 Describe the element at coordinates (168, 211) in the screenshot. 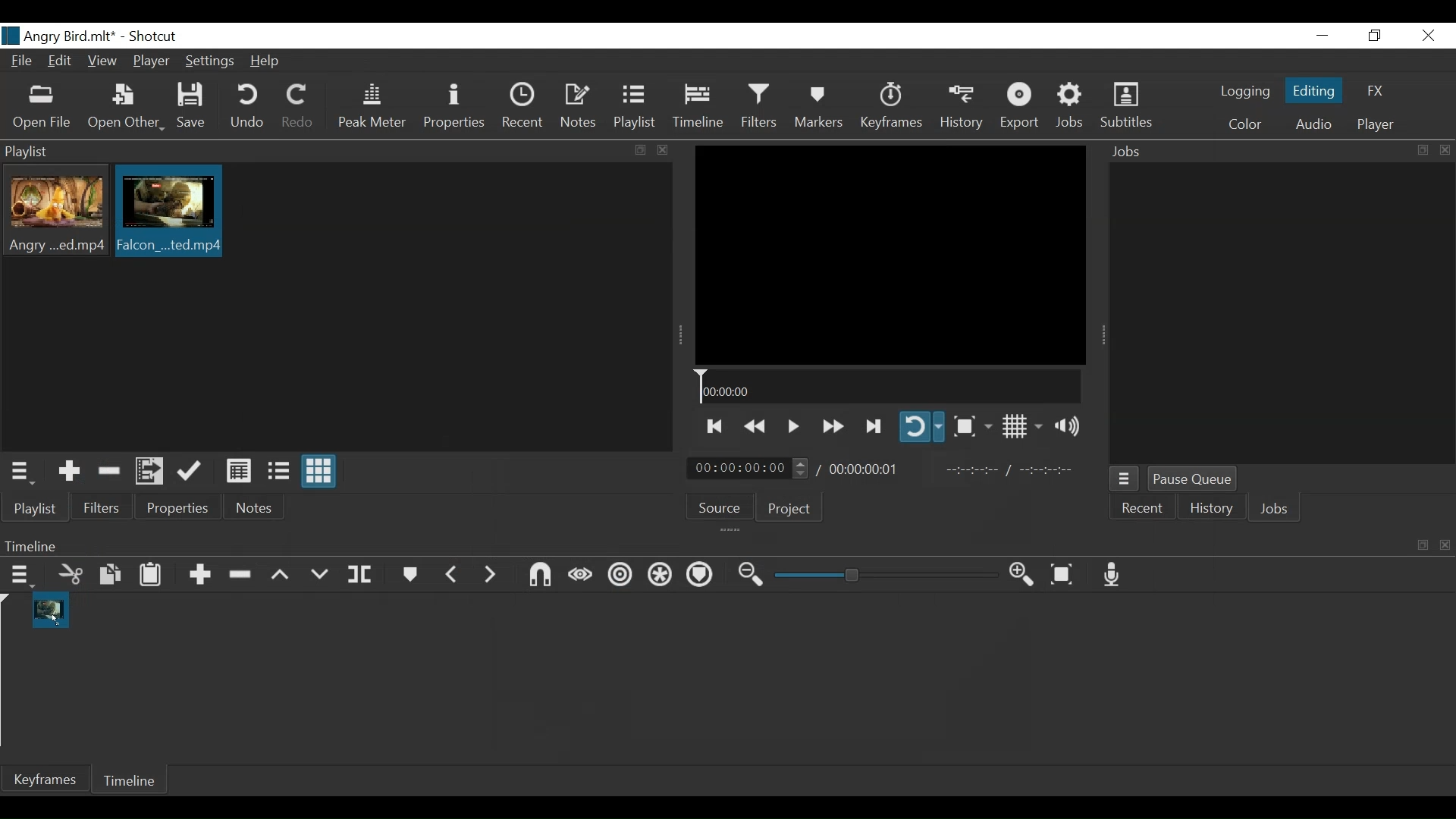

I see `Clip` at that location.